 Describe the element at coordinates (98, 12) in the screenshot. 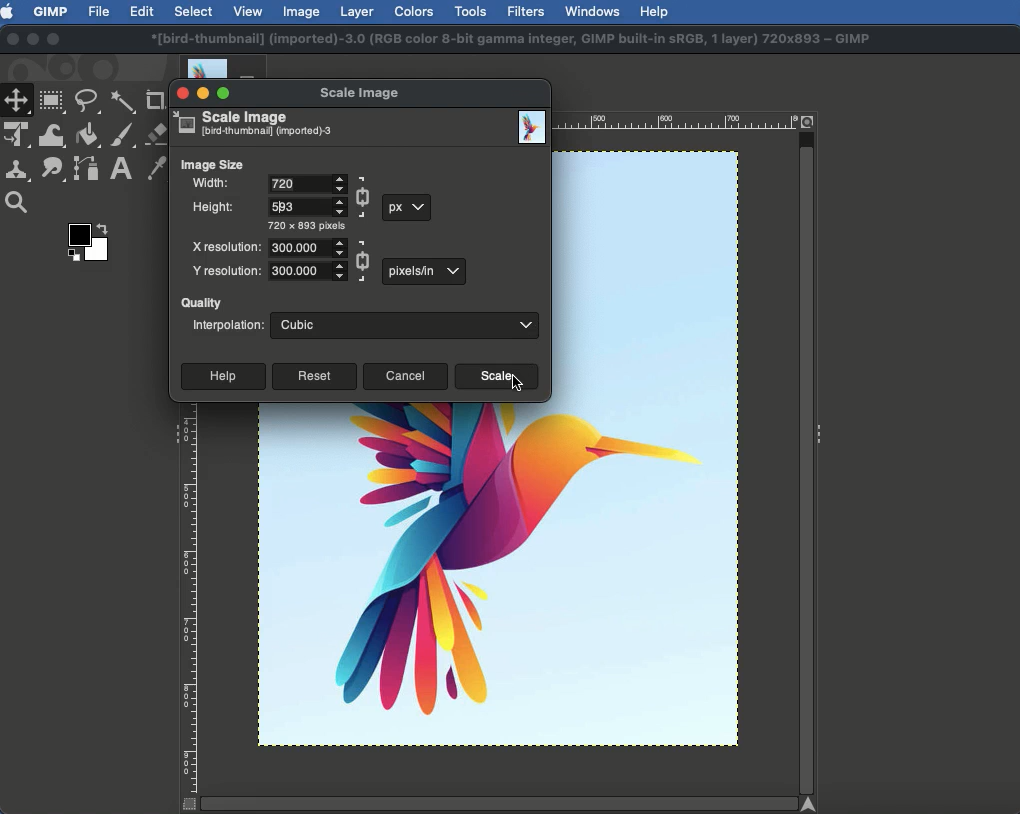

I see `File` at that location.